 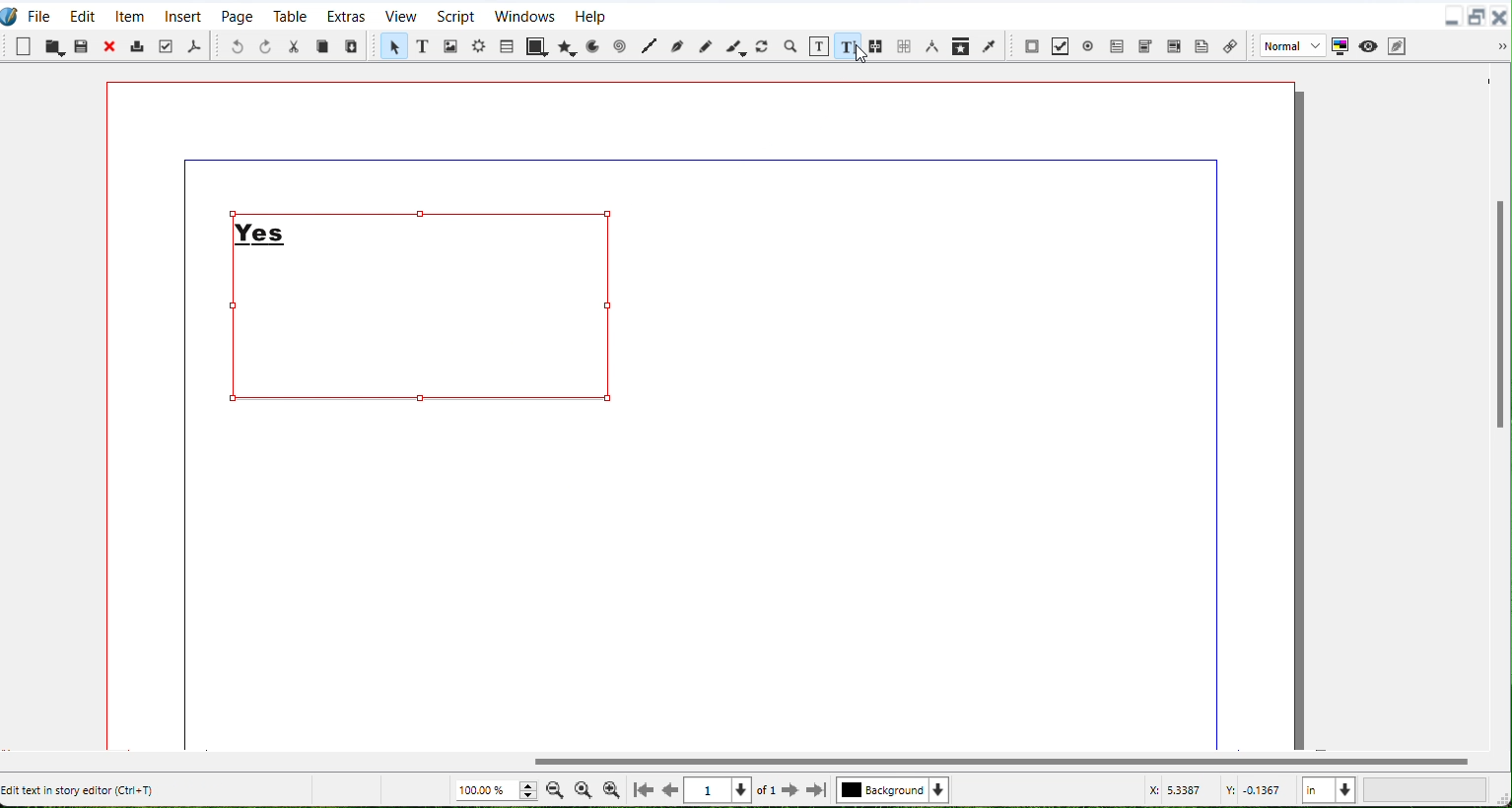 I want to click on Print, so click(x=139, y=45).